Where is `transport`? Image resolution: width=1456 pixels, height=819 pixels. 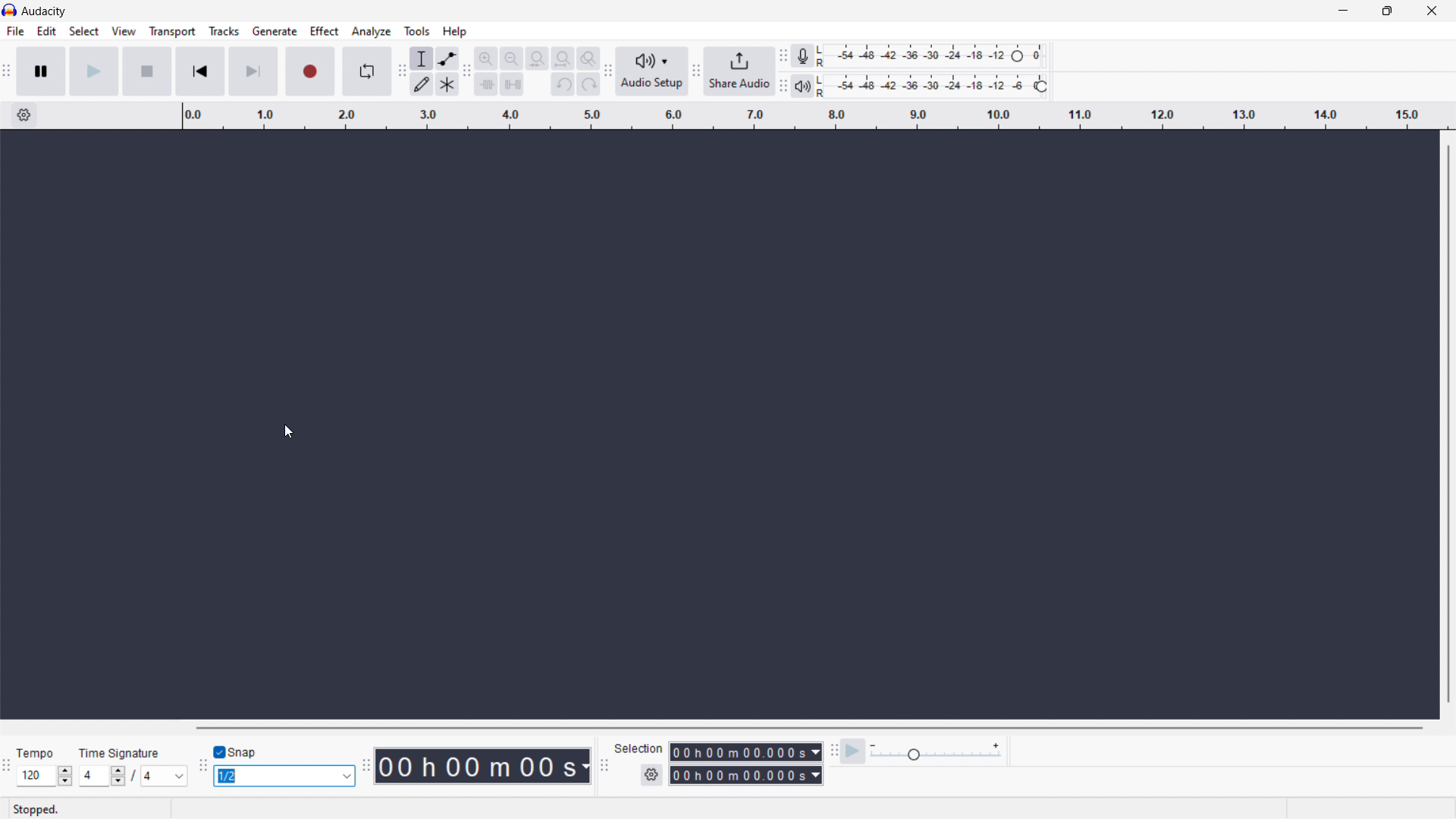 transport is located at coordinates (172, 32).